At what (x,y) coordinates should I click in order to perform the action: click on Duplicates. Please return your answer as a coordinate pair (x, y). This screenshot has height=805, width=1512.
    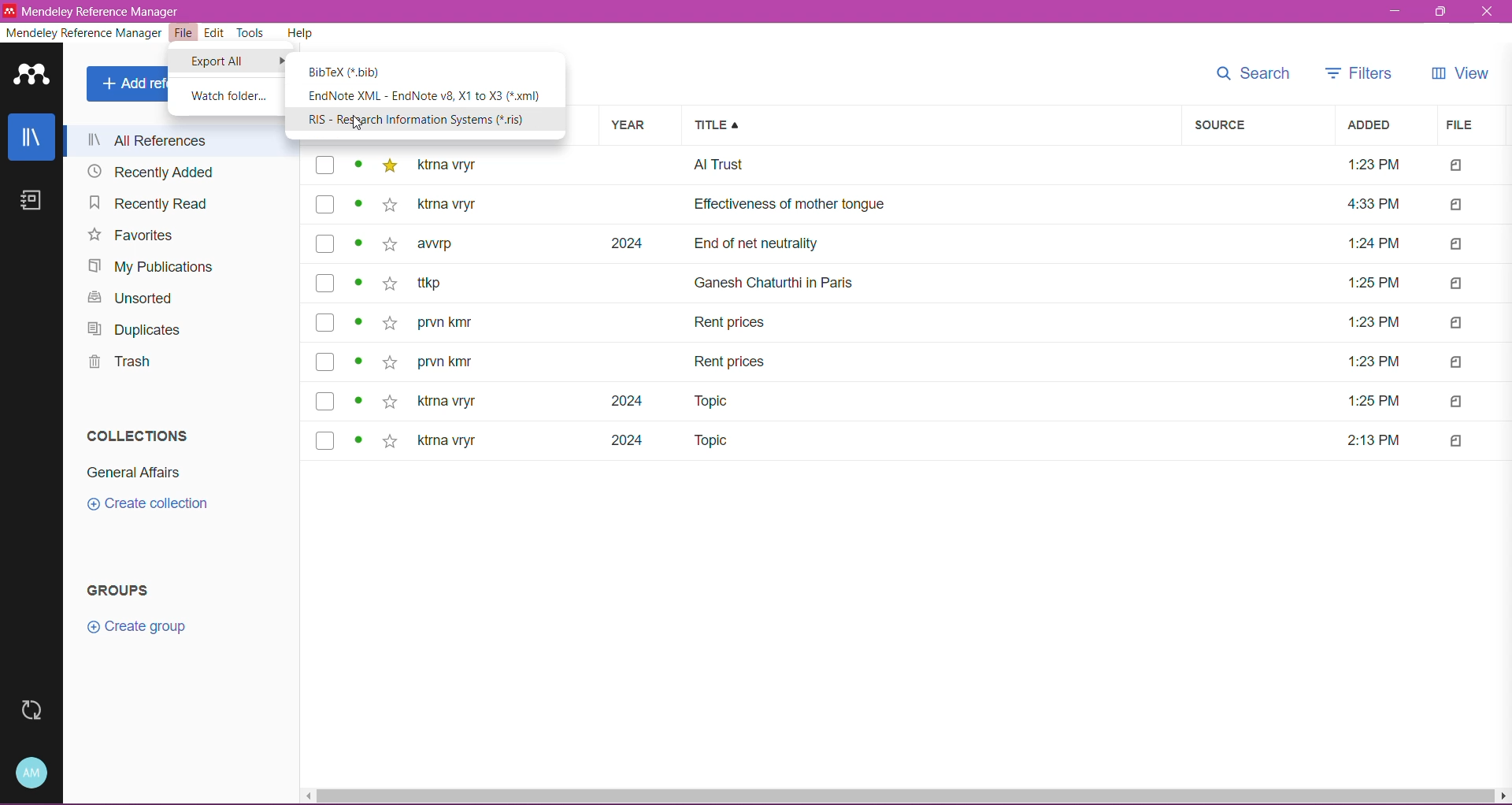
    Looking at the image, I should click on (137, 331).